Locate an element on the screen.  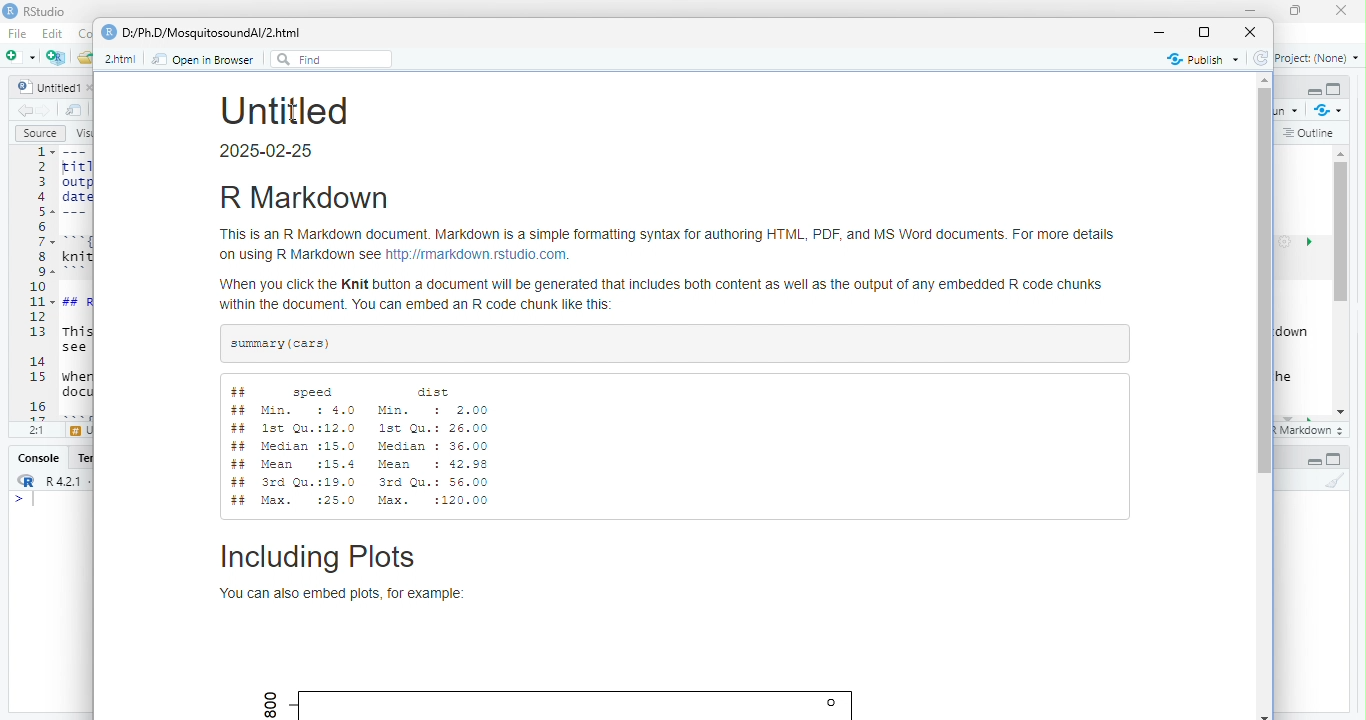
see is located at coordinates (74, 348).